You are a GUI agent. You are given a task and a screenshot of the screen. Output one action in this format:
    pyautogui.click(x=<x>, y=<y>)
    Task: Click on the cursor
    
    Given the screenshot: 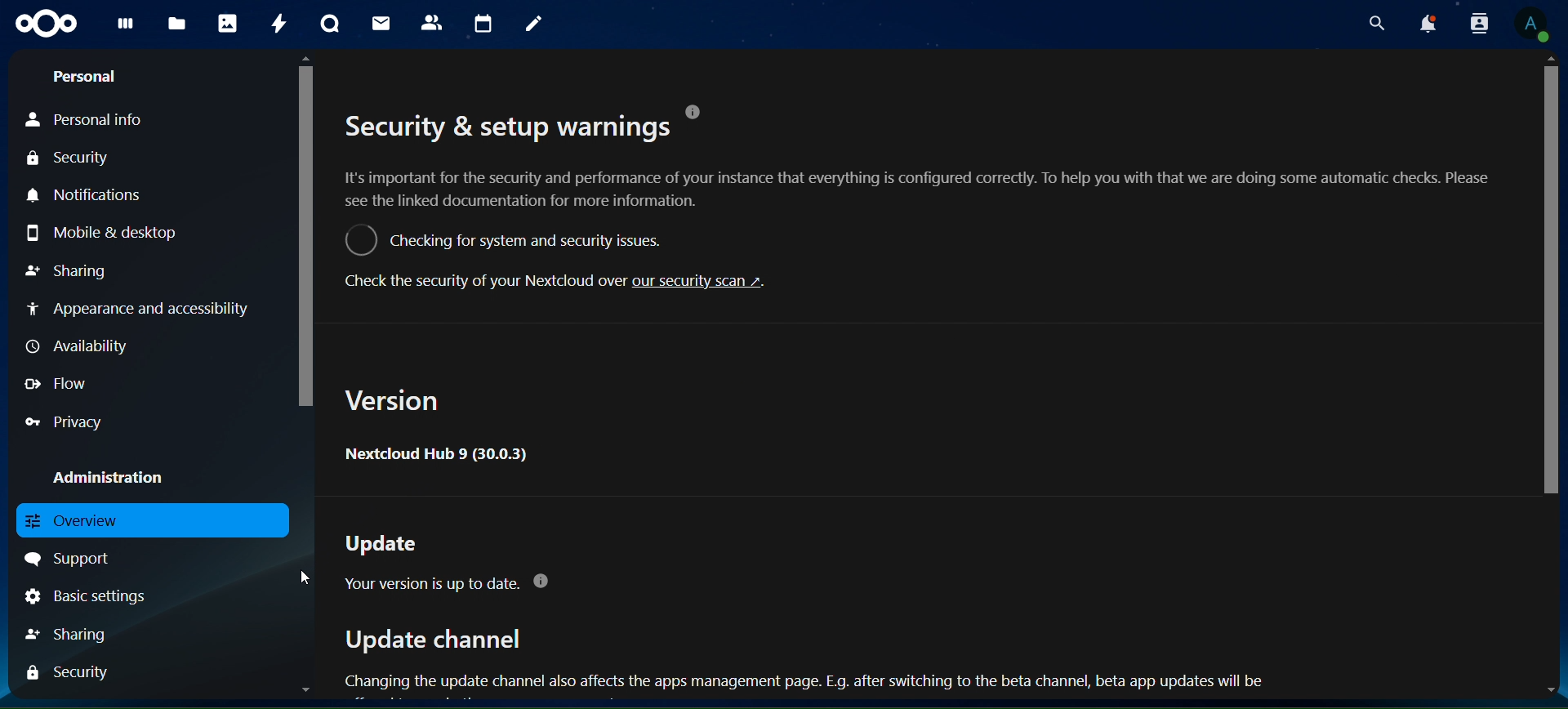 What is the action you would take?
    pyautogui.click(x=305, y=578)
    